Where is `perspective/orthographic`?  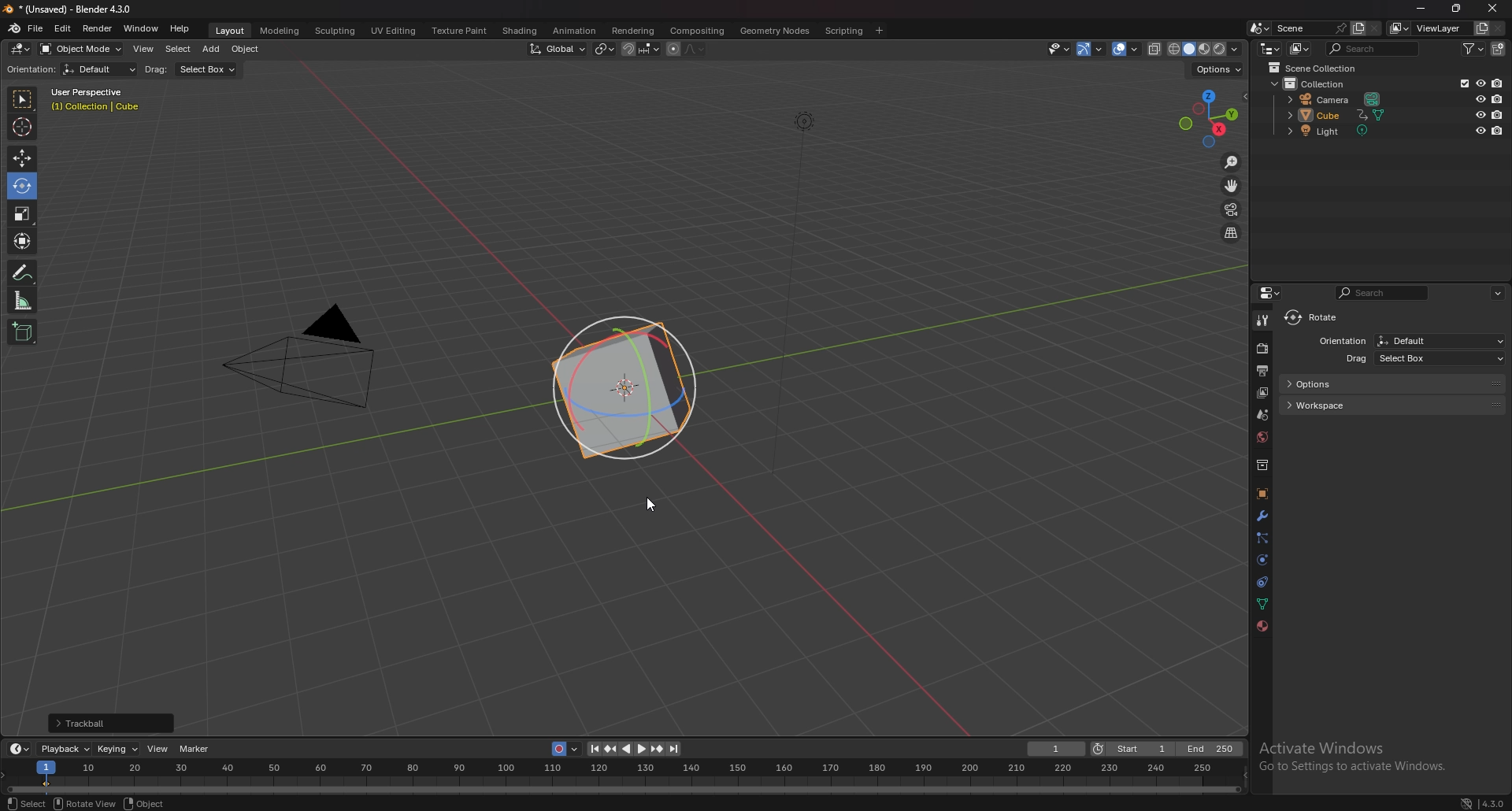
perspective/orthographic is located at coordinates (1231, 232).